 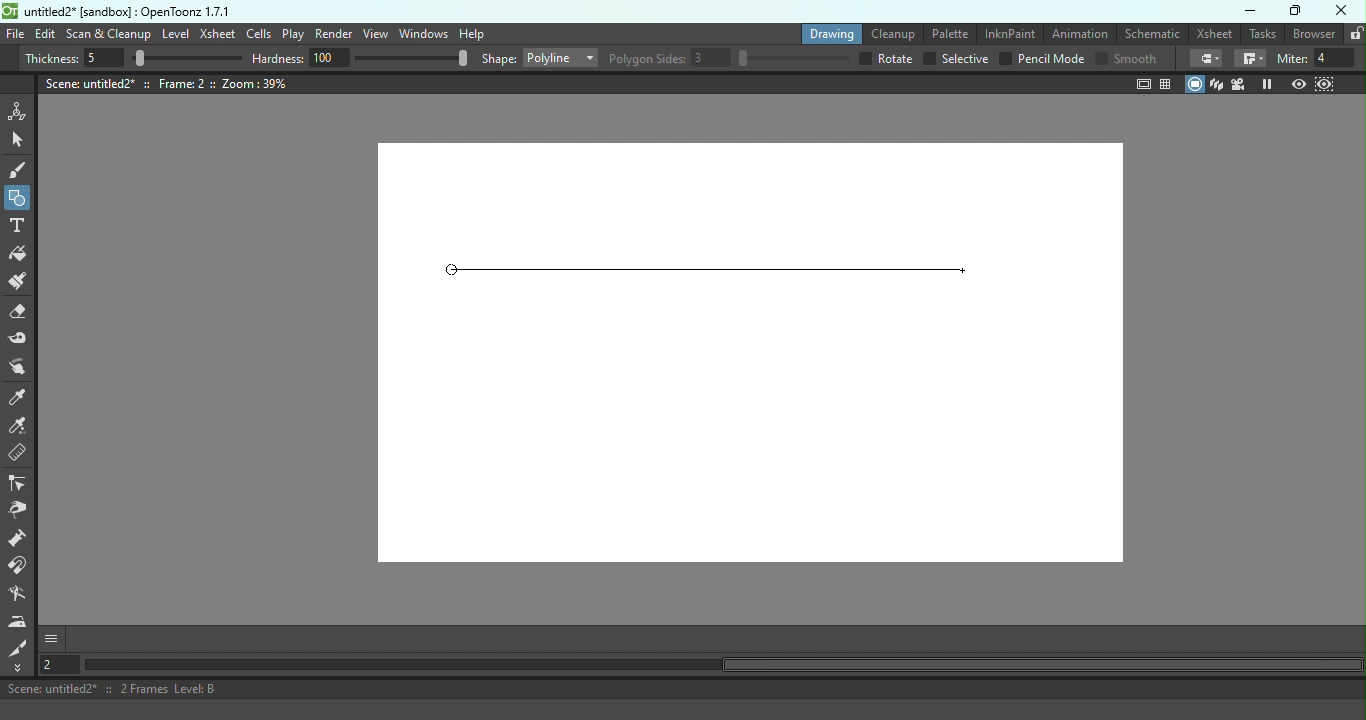 What do you see at coordinates (683, 689) in the screenshot?
I see `Scene: untitled2* :: 0 Frames` at bounding box center [683, 689].